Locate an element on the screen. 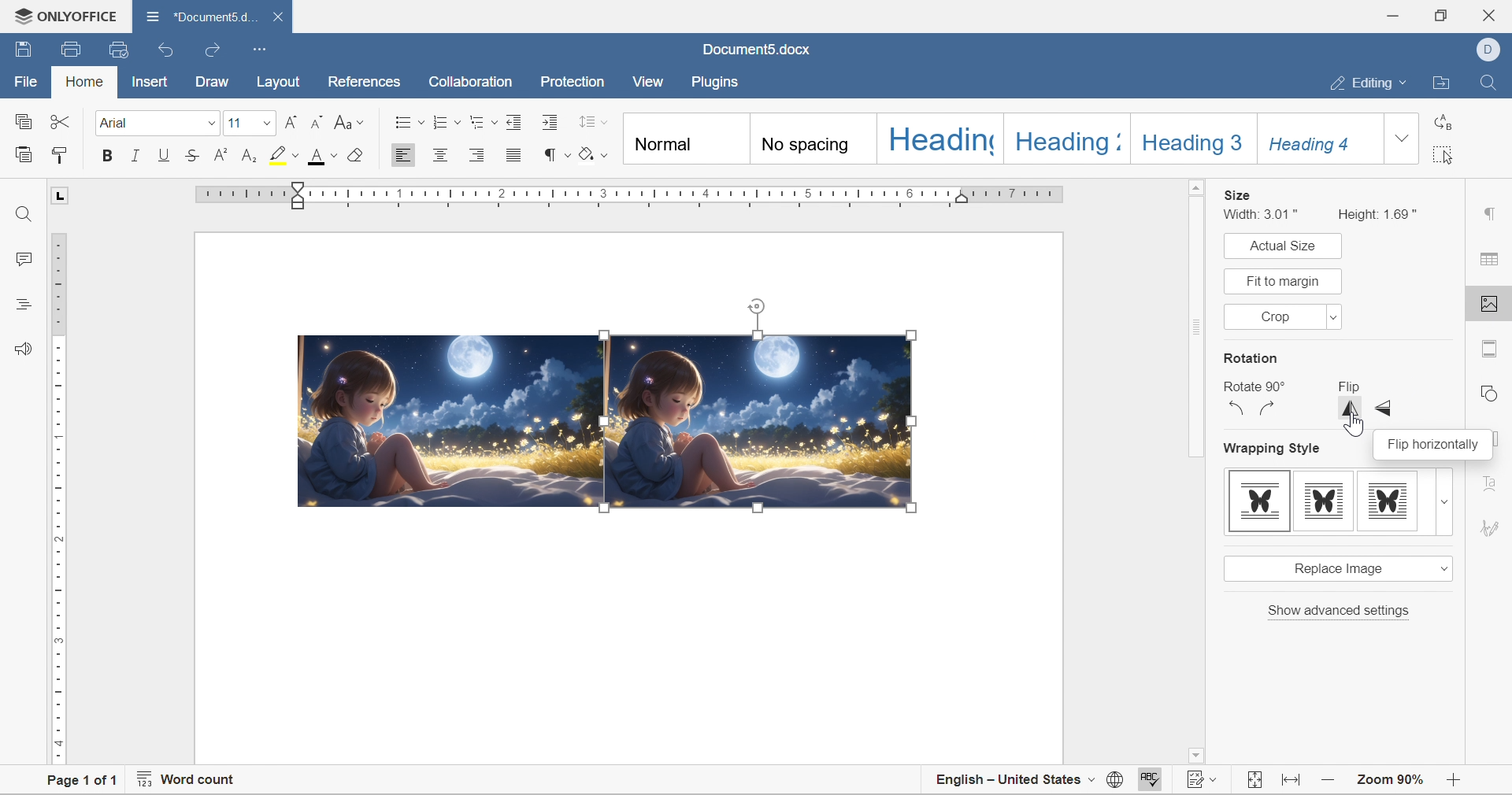  scroll bar is located at coordinates (1195, 467).